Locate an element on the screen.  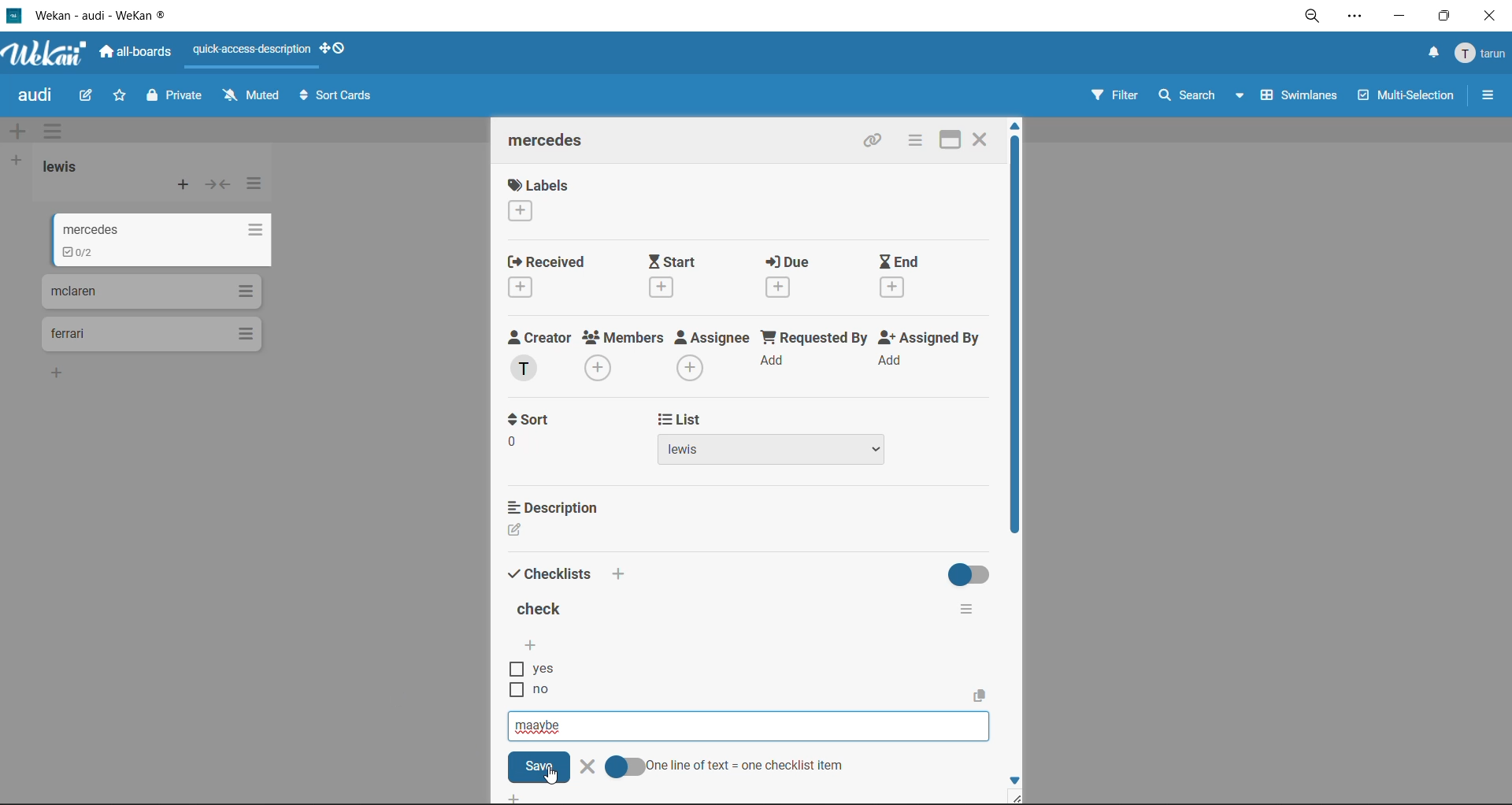
app logo is located at coordinates (46, 50).